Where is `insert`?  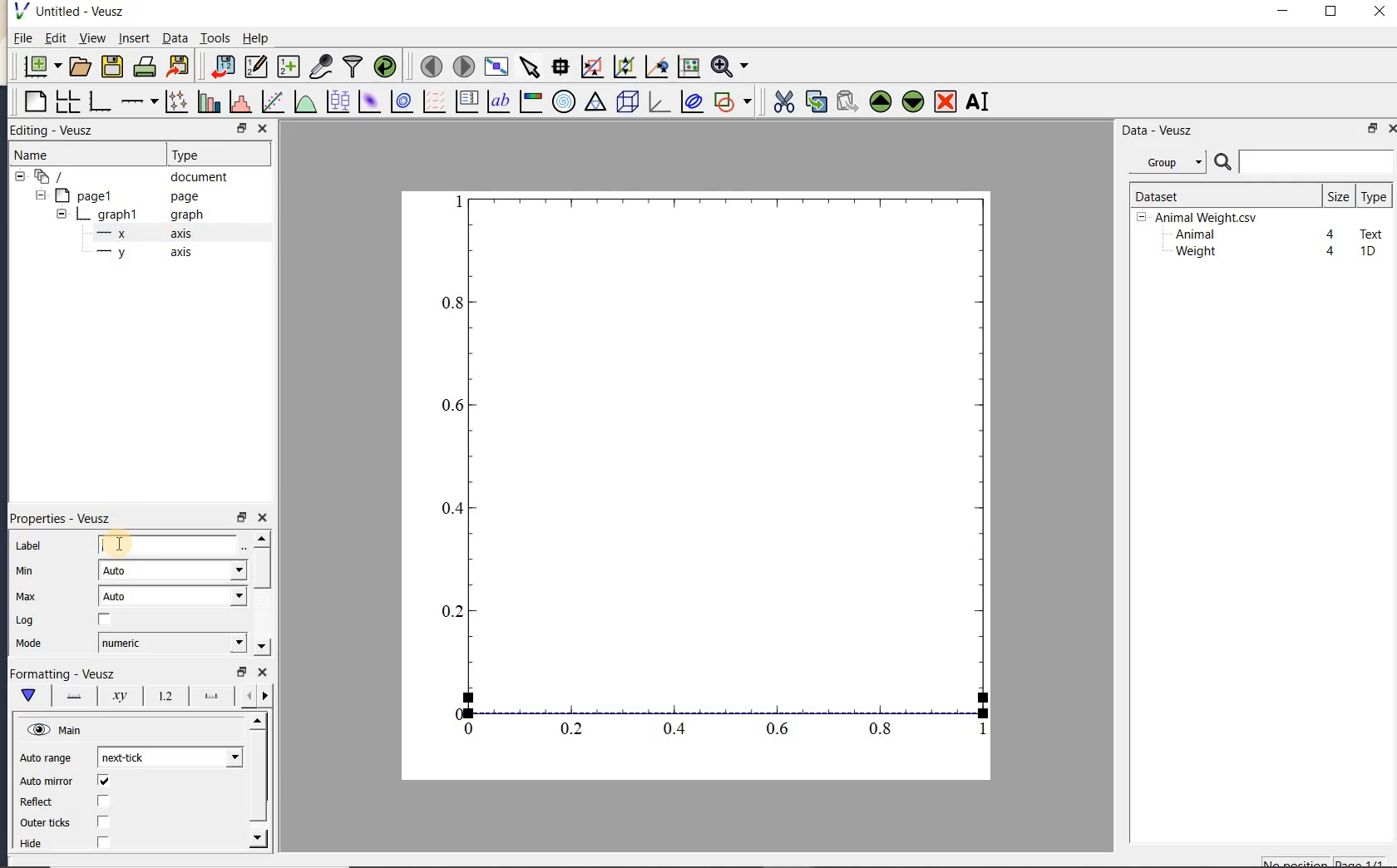
insert is located at coordinates (134, 37).